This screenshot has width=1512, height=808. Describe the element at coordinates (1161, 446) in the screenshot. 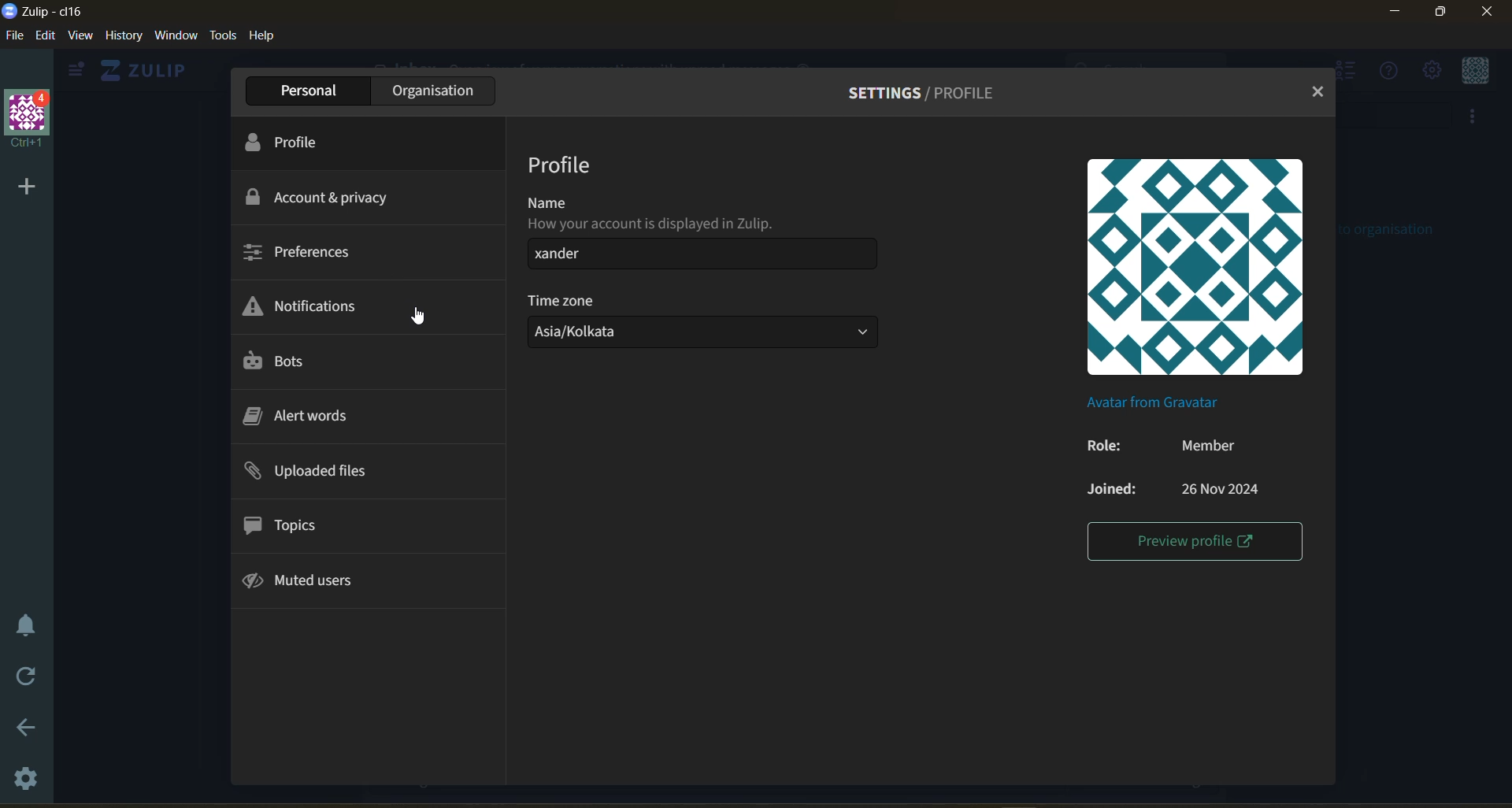

I see `role` at that location.